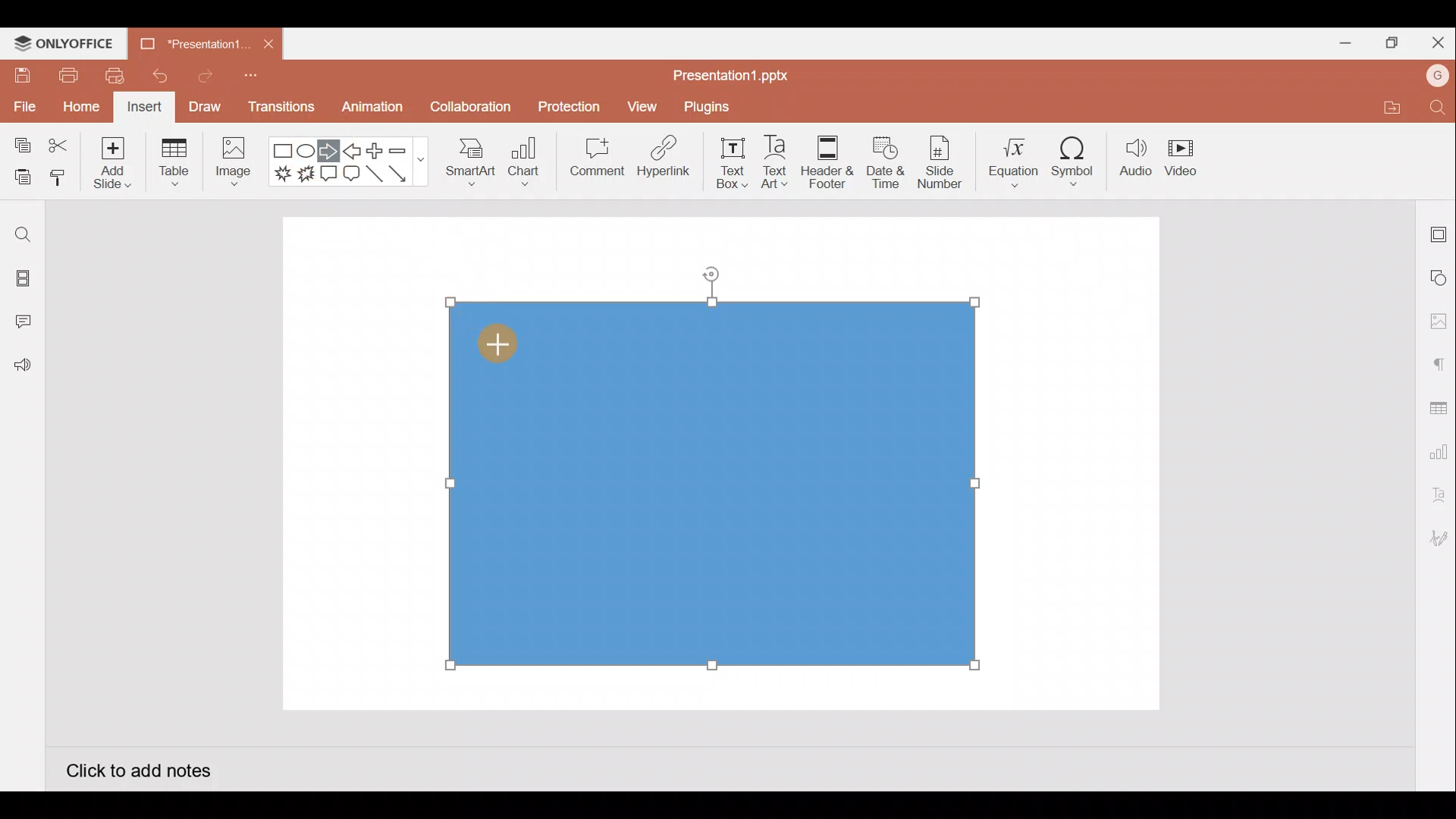 The height and width of the screenshot is (819, 1456). What do you see at coordinates (1436, 540) in the screenshot?
I see `Signature settings` at bounding box center [1436, 540].